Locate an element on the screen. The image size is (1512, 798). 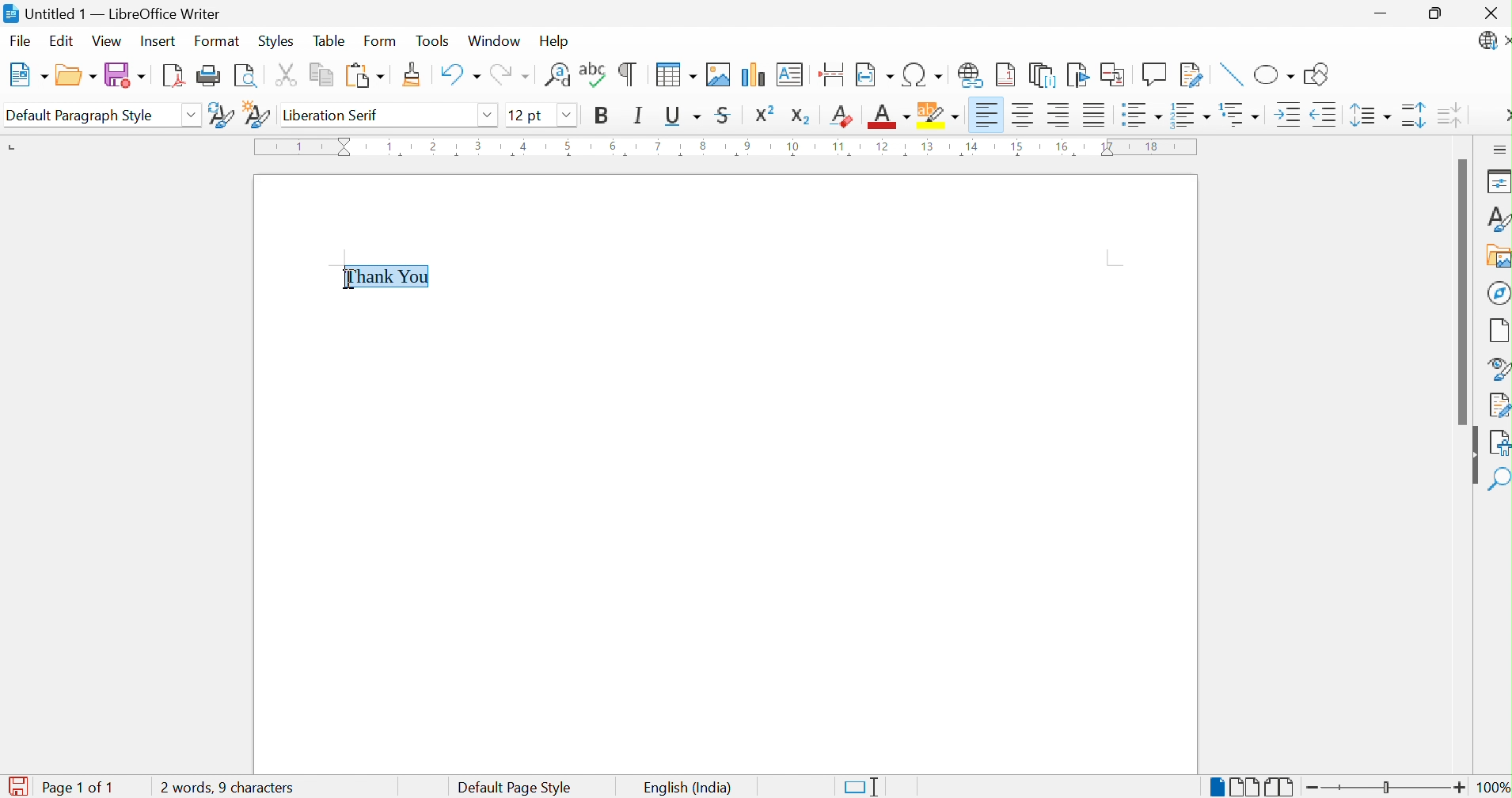
Zoom Out is located at coordinates (1313, 788).